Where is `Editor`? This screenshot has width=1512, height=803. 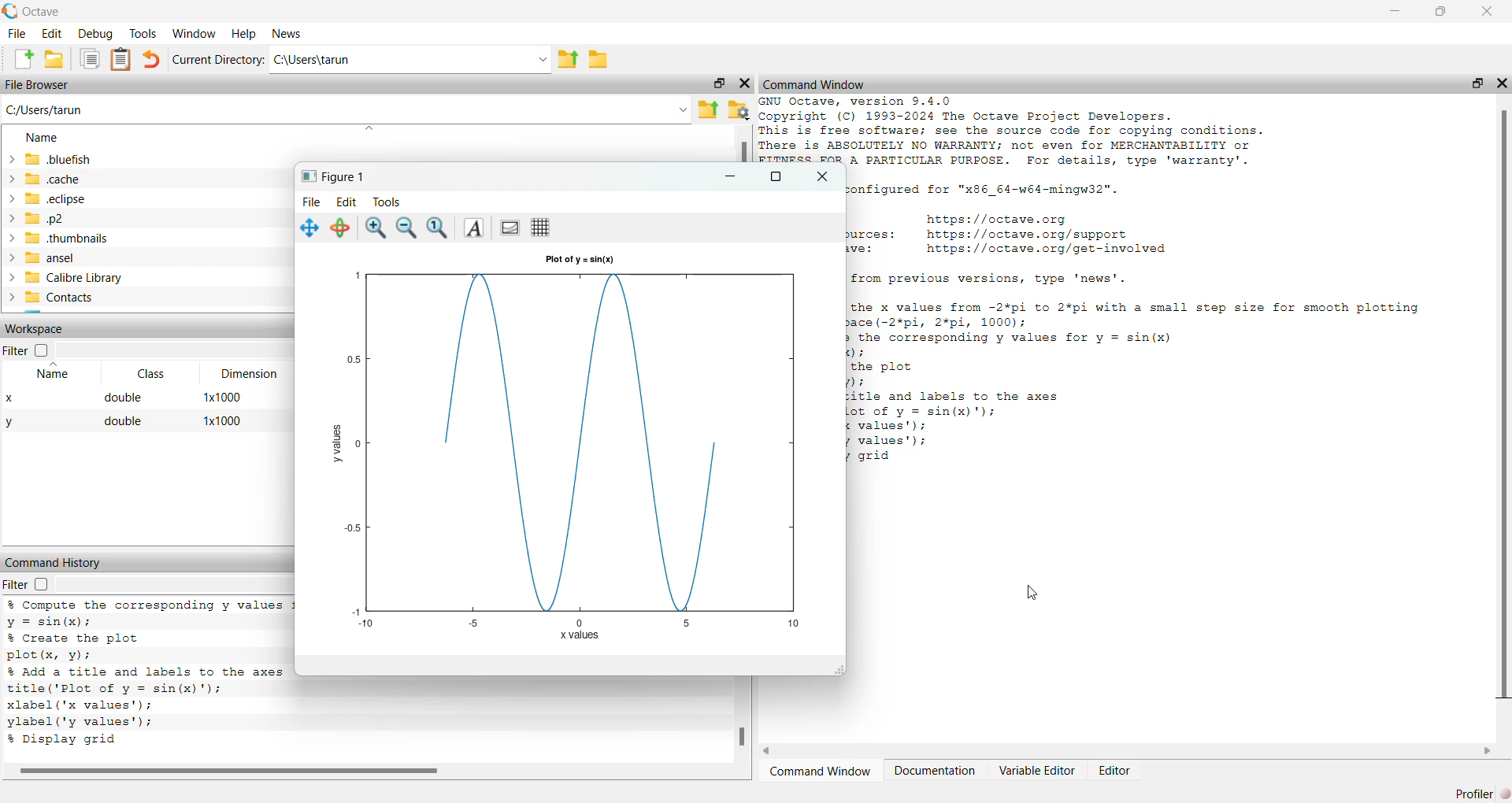 Editor is located at coordinates (1117, 771).